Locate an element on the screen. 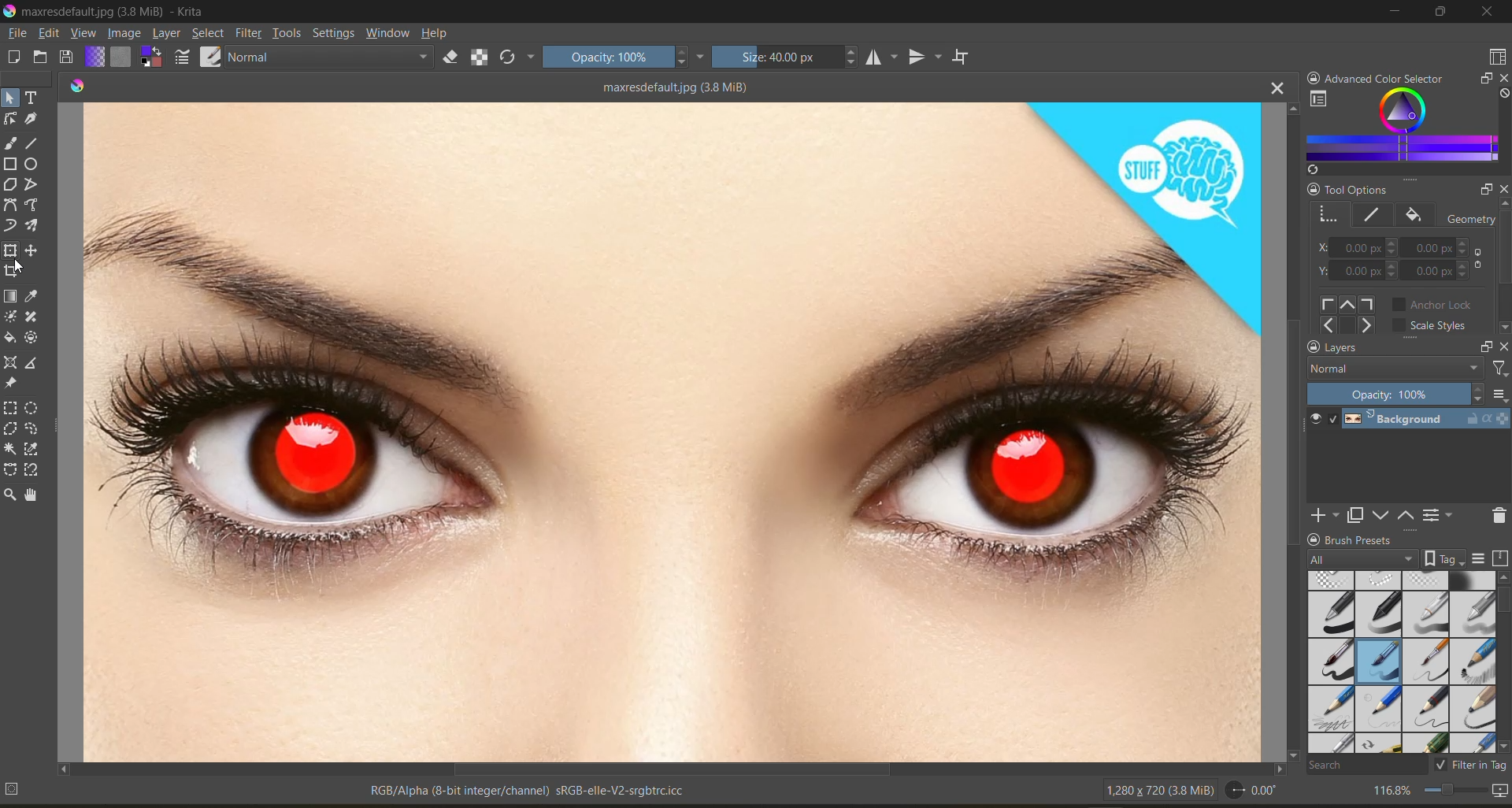 This screenshot has height=808, width=1512. wrap around mode is located at coordinates (966, 57).